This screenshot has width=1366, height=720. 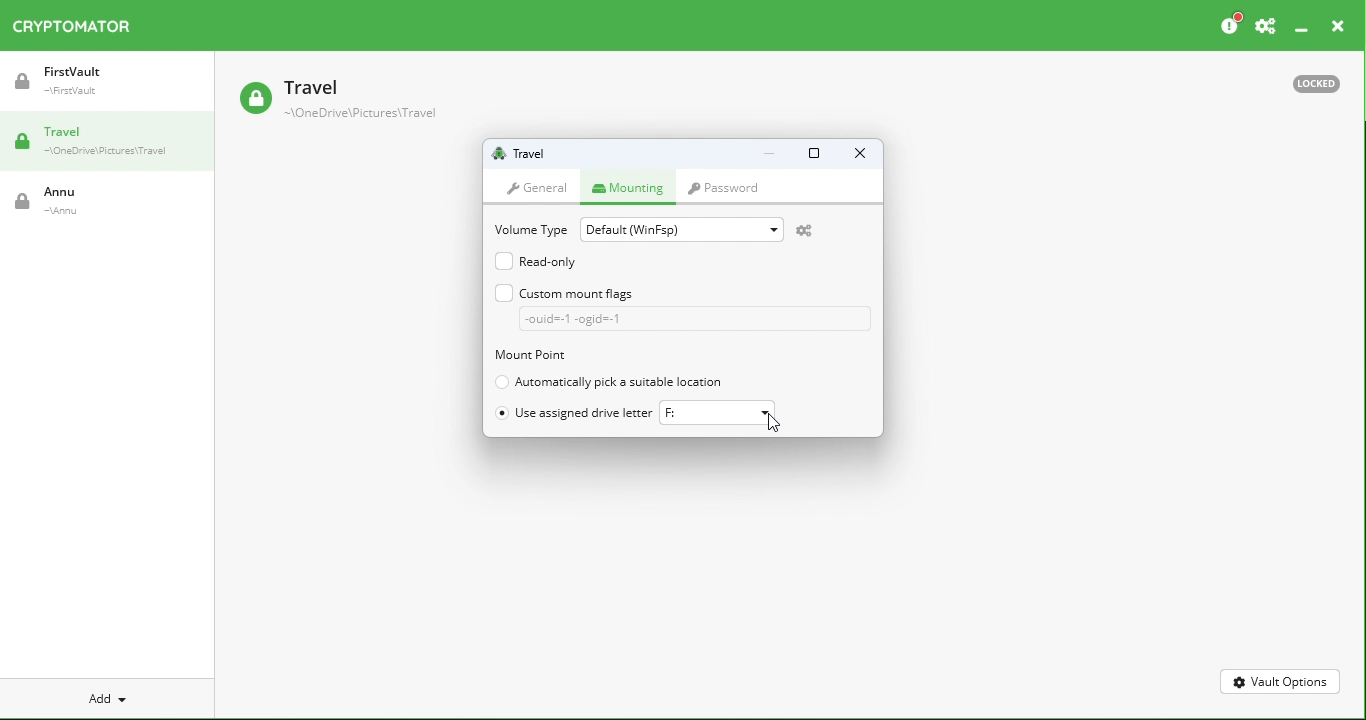 I want to click on Maximize, so click(x=812, y=156).